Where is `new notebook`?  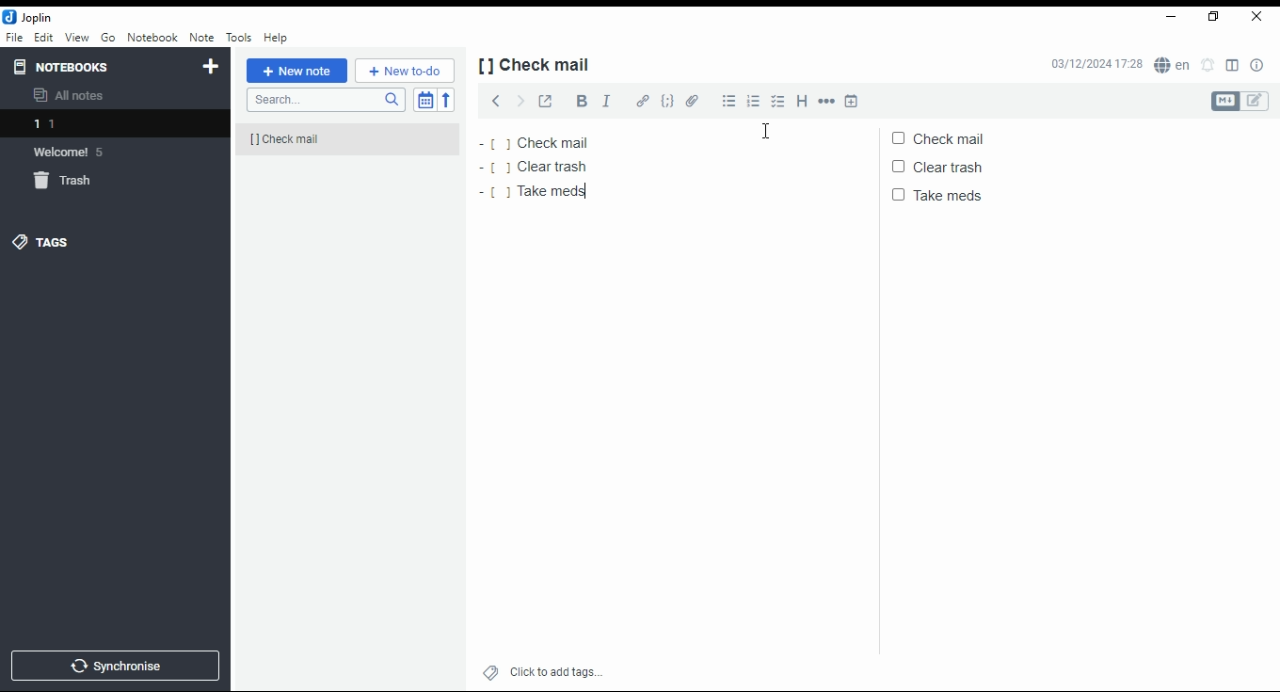 new notebook is located at coordinates (212, 67).